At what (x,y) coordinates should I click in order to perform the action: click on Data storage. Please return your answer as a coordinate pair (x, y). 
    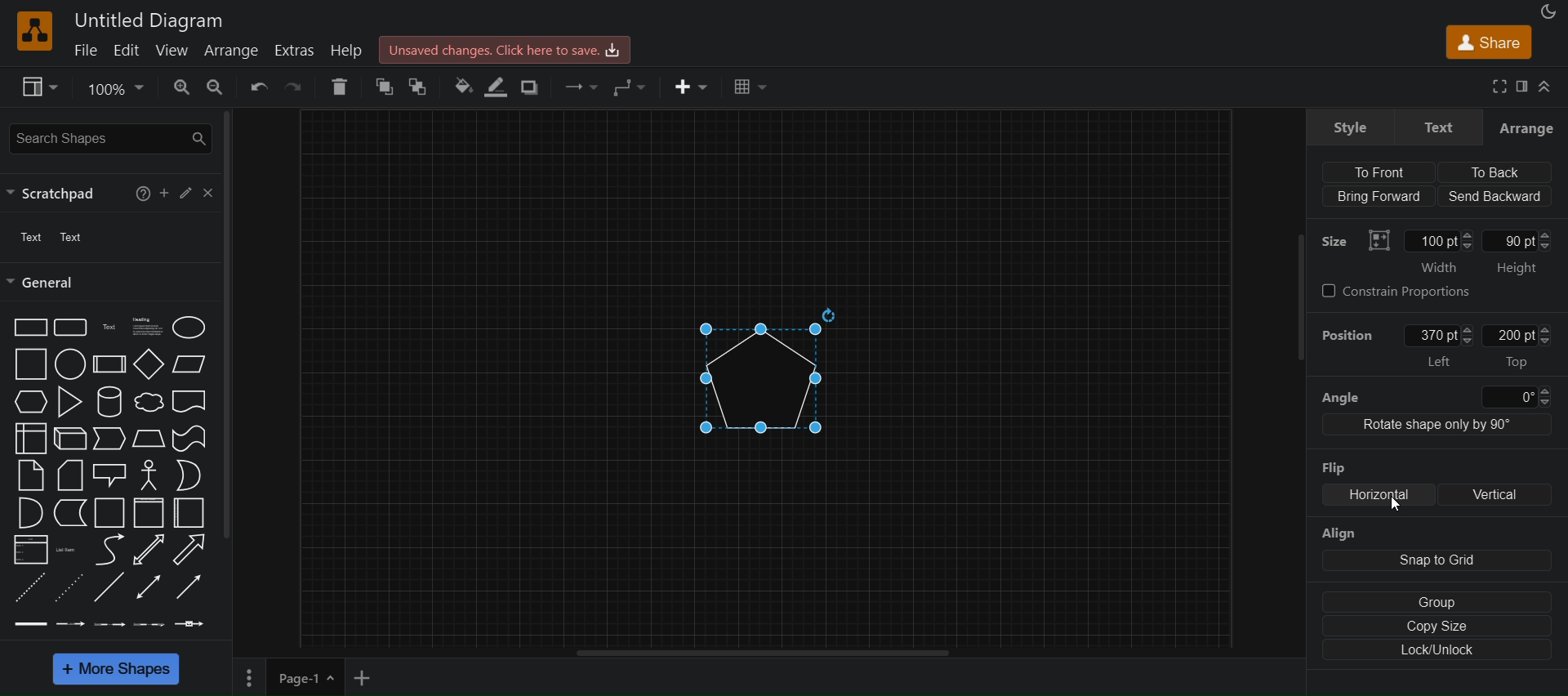
    Looking at the image, I should click on (70, 513).